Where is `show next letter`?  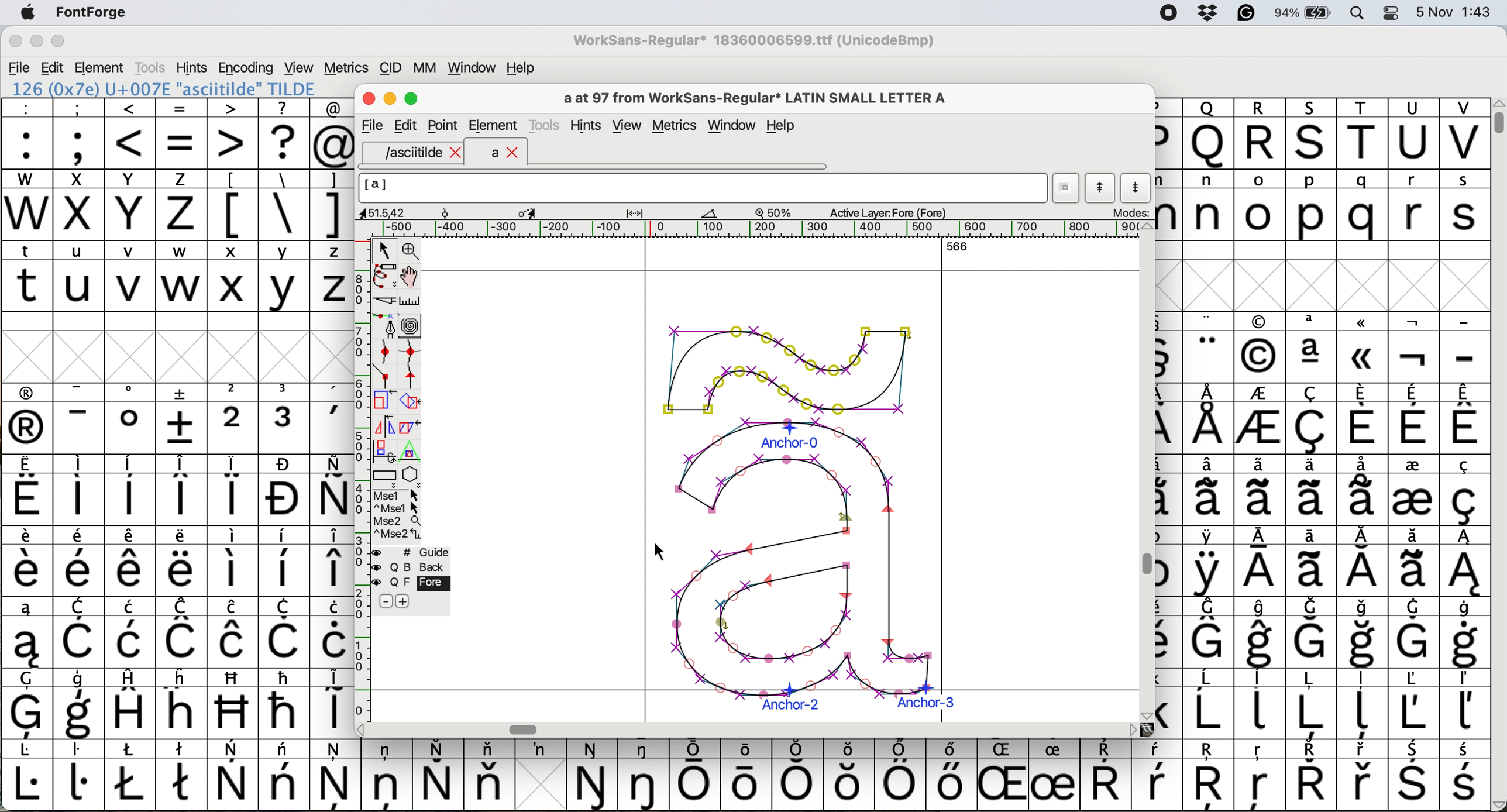 show next letter is located at coordinates (1138, 187).